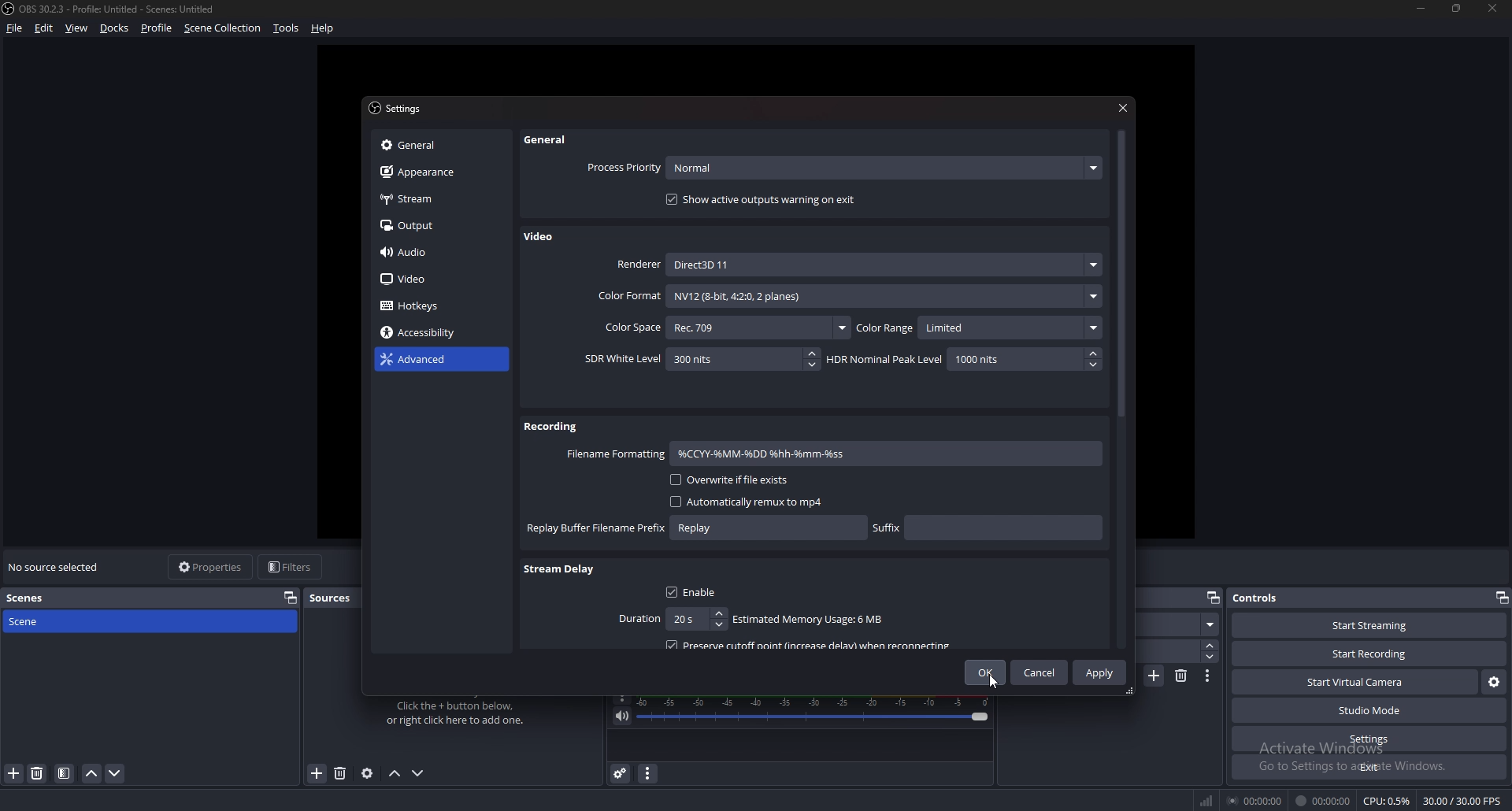 The width and height of the screenshot is (1512, 811). I want to click on exit, so click(1370, 767).